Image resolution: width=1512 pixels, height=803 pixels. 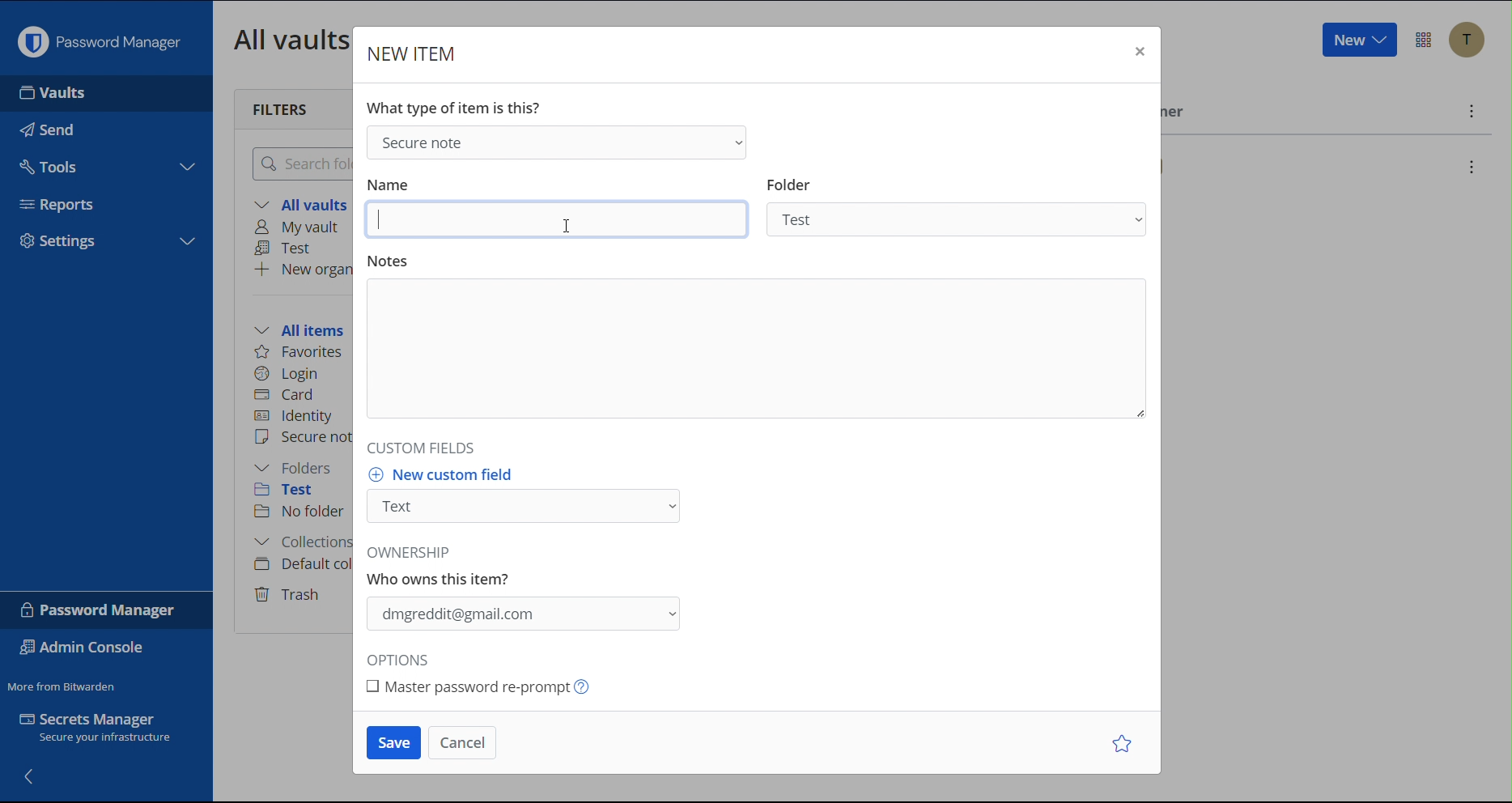 I want to click on Close, so click(x=1137, y=53).